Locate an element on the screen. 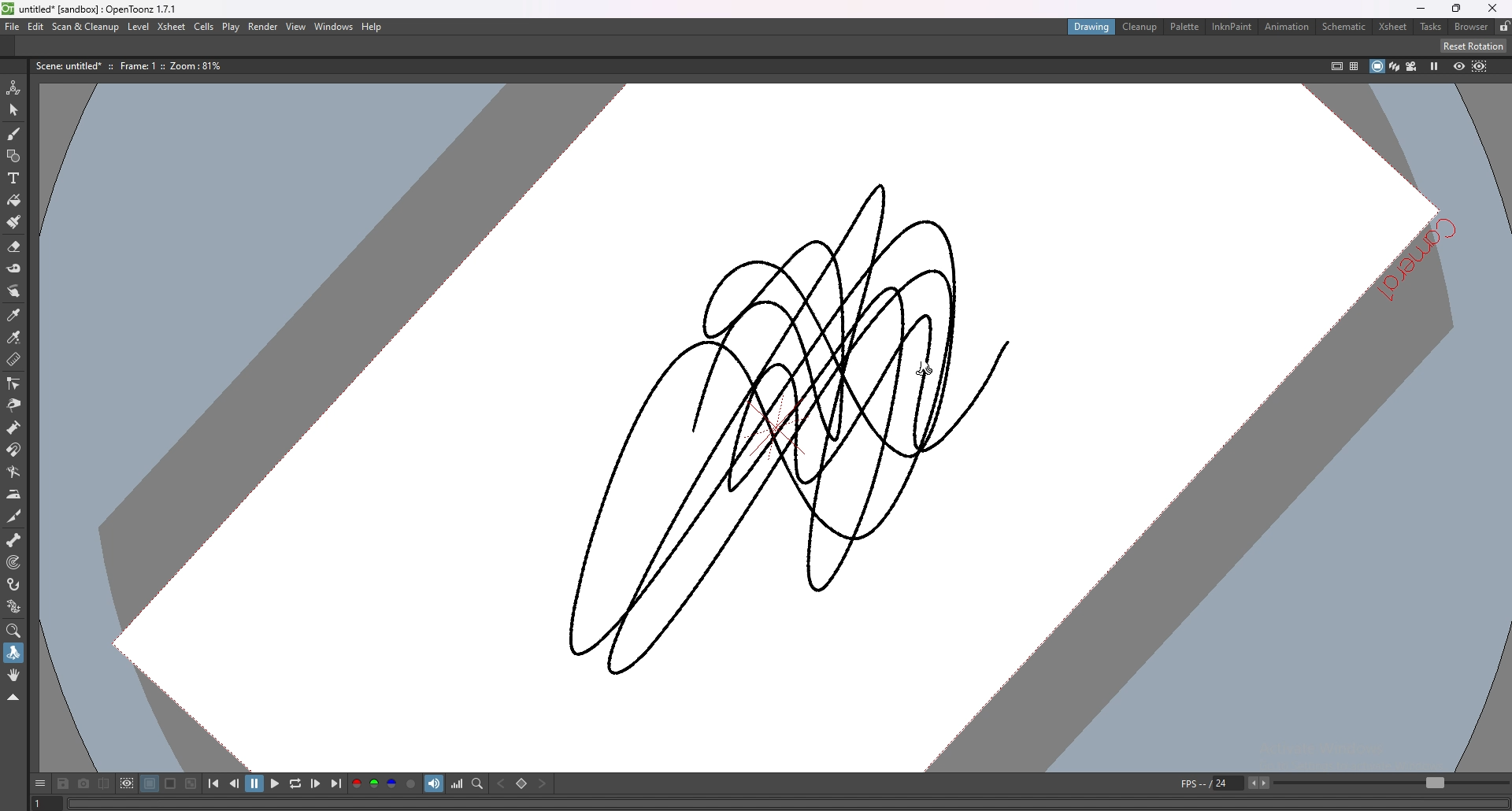 Image resolution: width=1512 pixels, height=811 pixels. minimize is located at coordinates (1422, 9).